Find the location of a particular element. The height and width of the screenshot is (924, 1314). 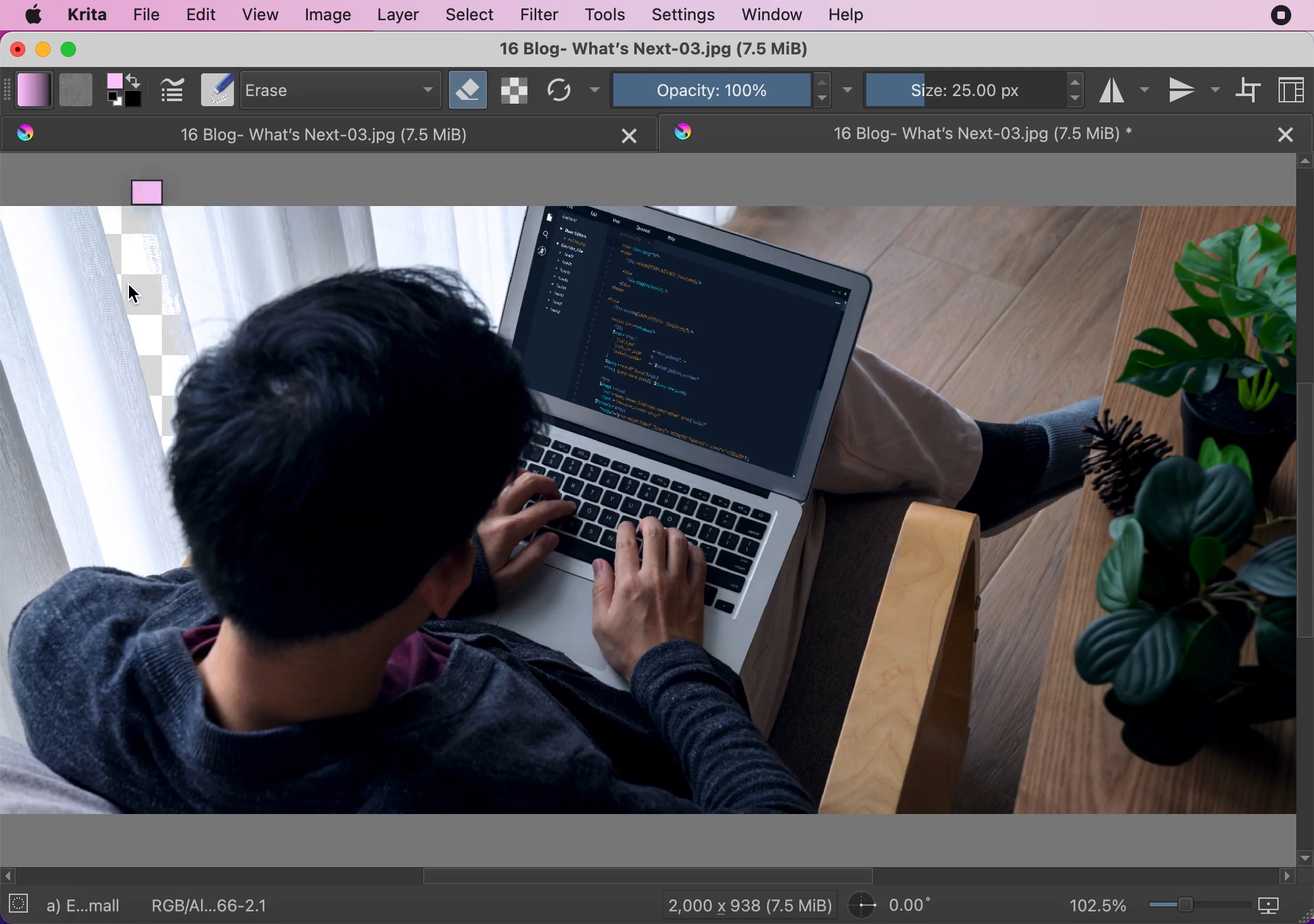

filter is located at coordinates (544, 16).